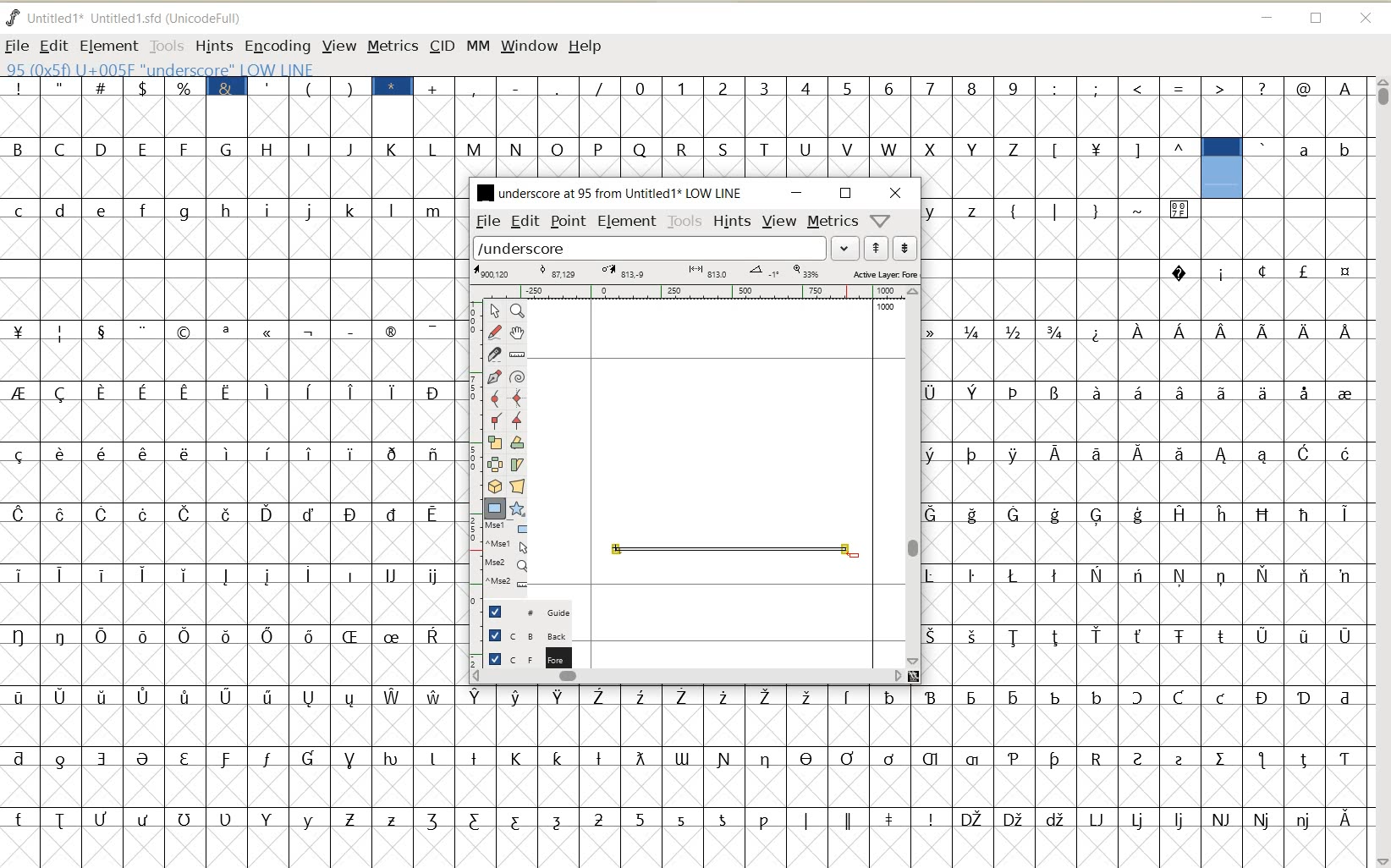 Image resolution: width=1391 pixels, height=868 pixels. What do you see at coordinates (518, 354) in the screenshot?
I see `measure a distance, angle between points` at bounding box center [518, 354].